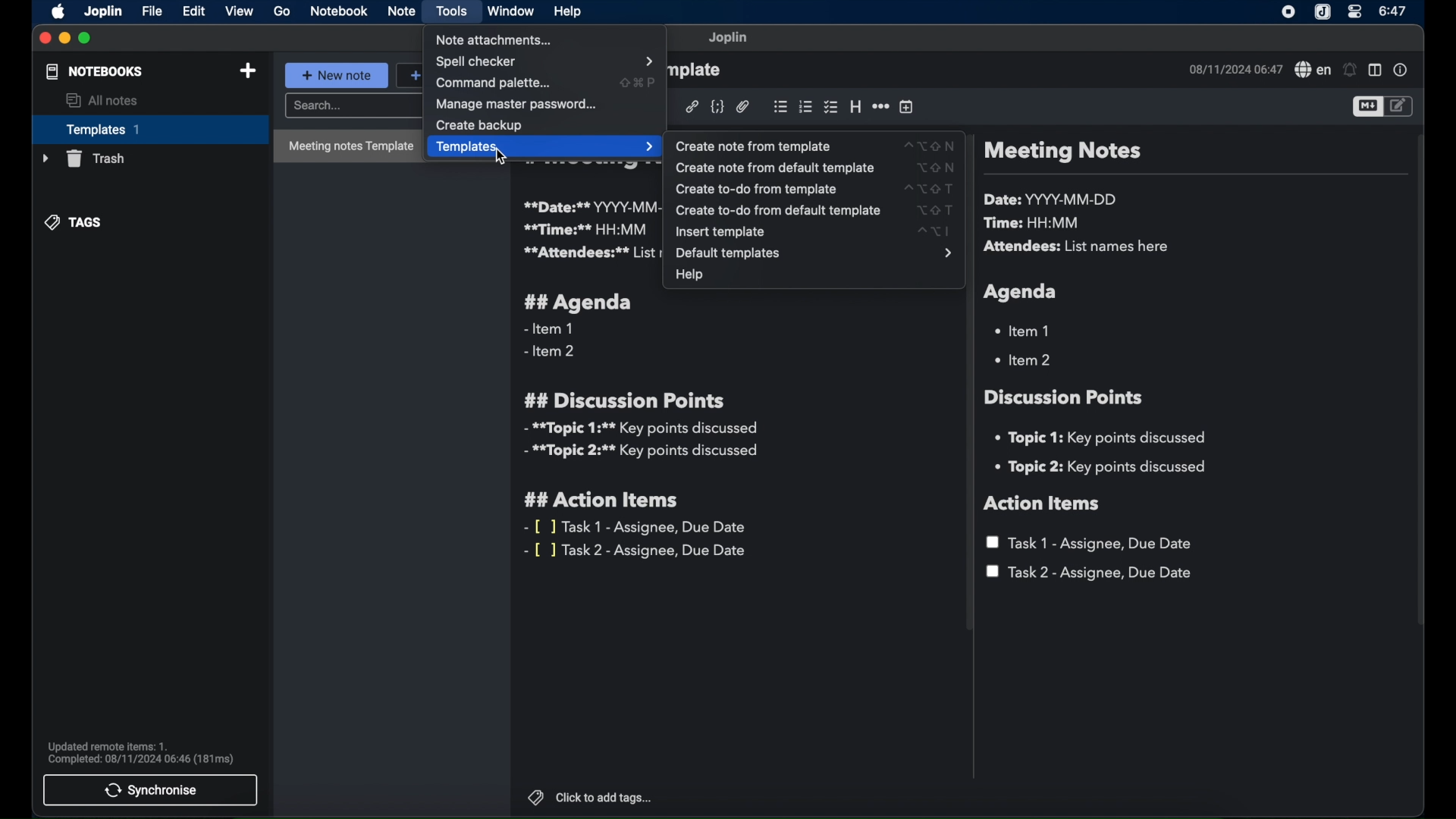  Describe the element at coordinates (718, 105) in the screenshot. I see `code` at that location.